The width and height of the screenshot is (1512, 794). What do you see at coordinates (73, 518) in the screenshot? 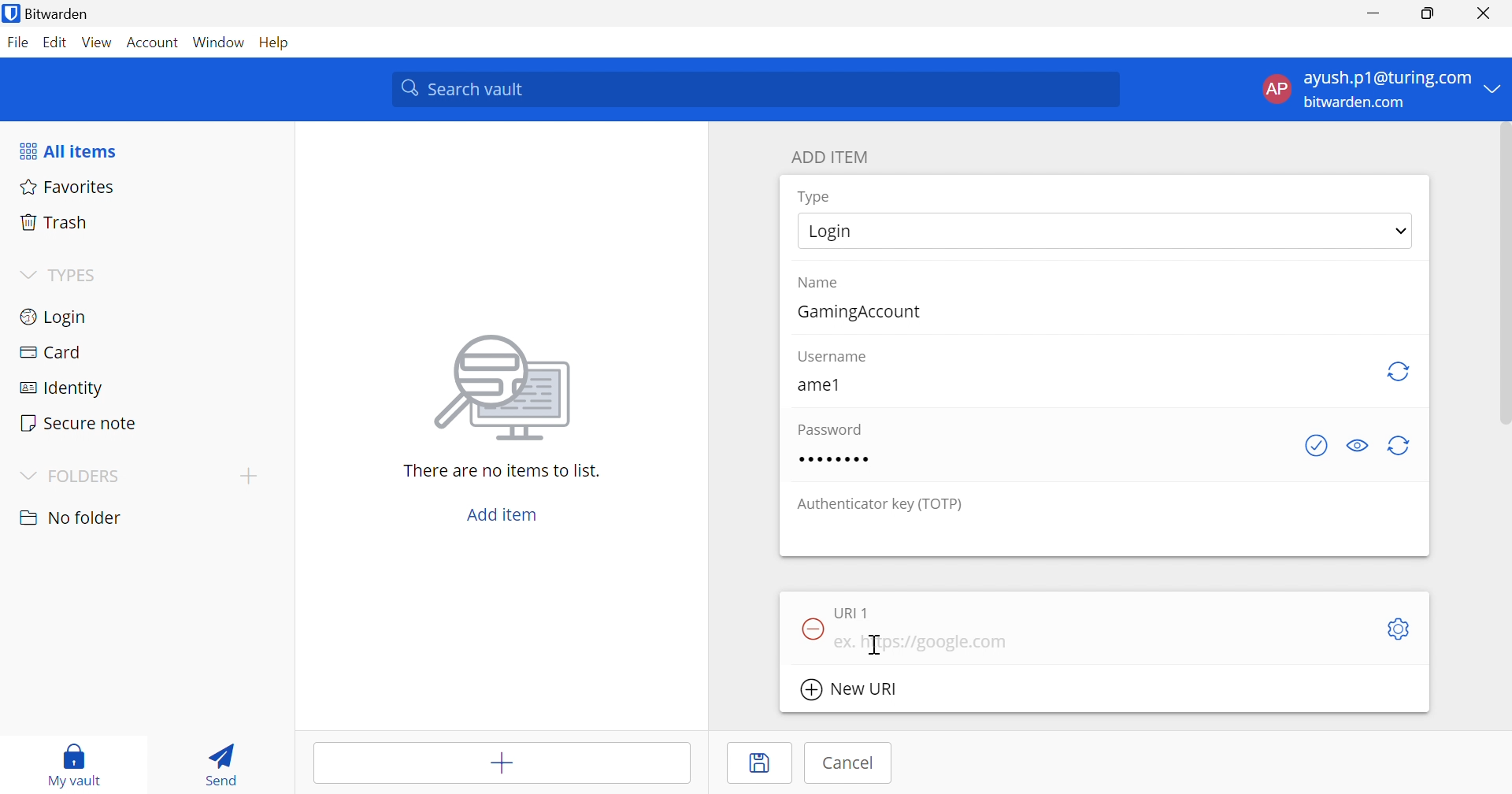
I see `No folder` at bounding box center [73, 518].